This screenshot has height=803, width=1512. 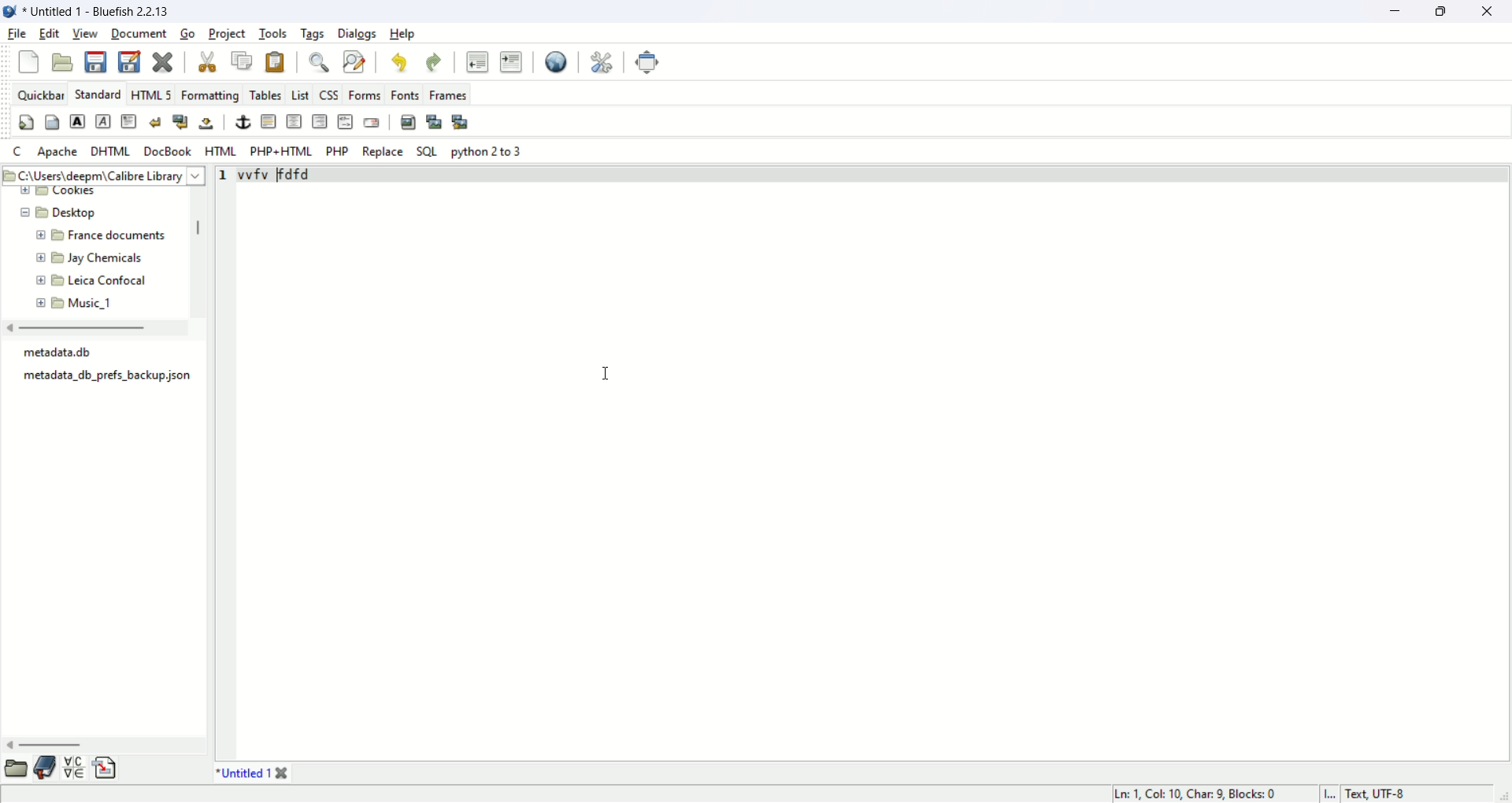 I want to click on apache, so click(x=58, y=152).